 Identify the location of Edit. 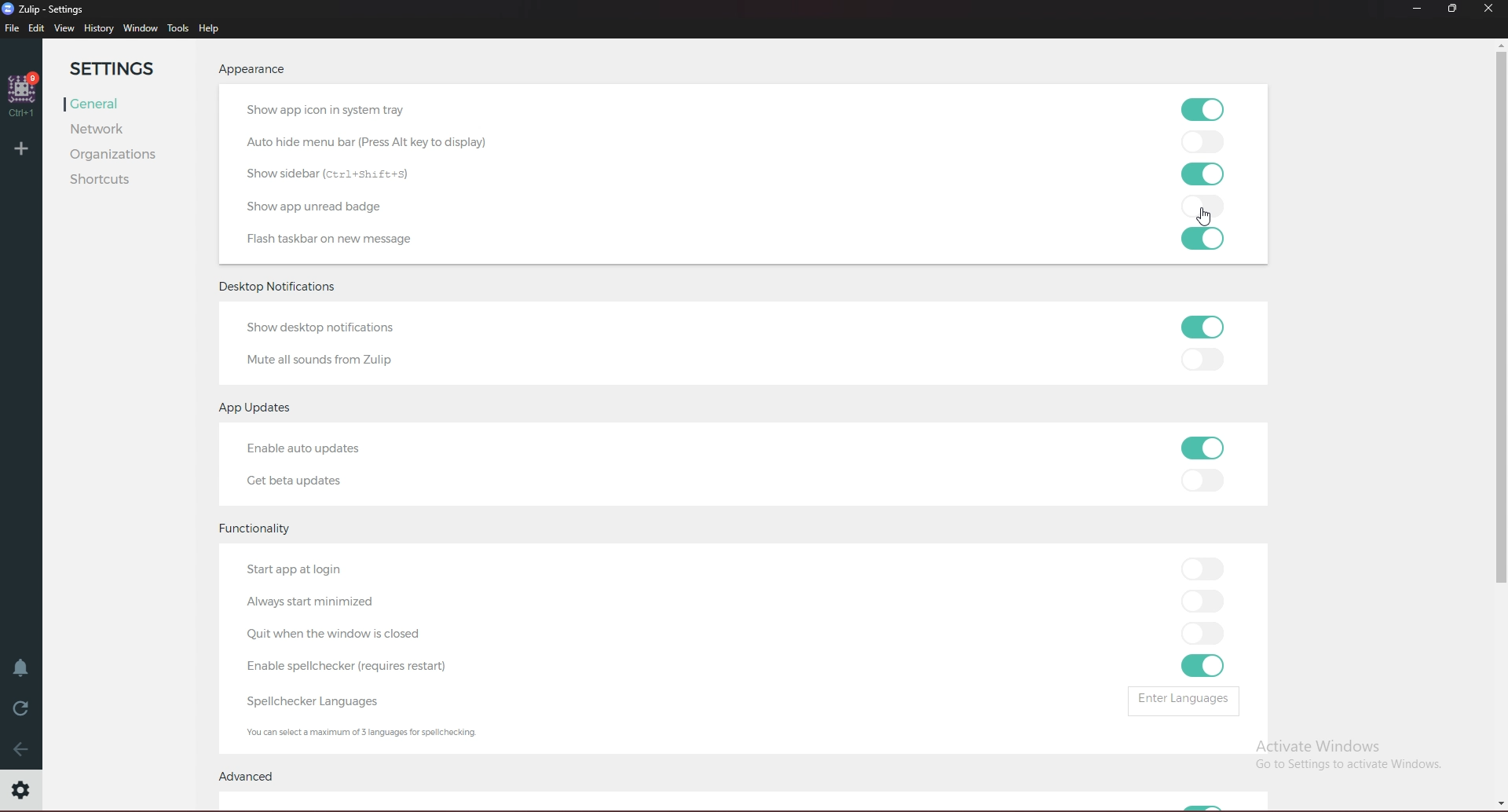
(37, 29).